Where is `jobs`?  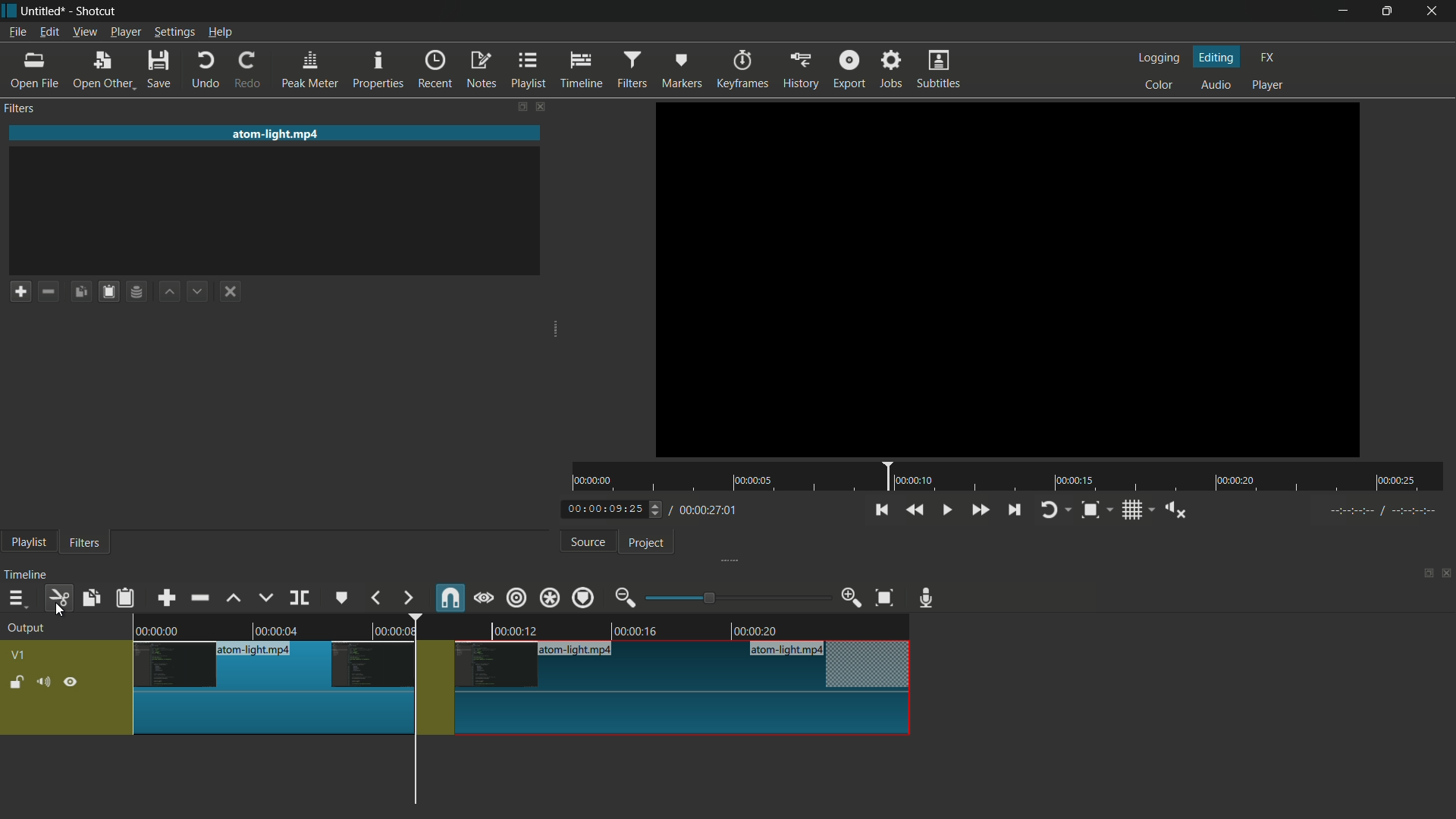 jobs is located at coordinates (893, 67).